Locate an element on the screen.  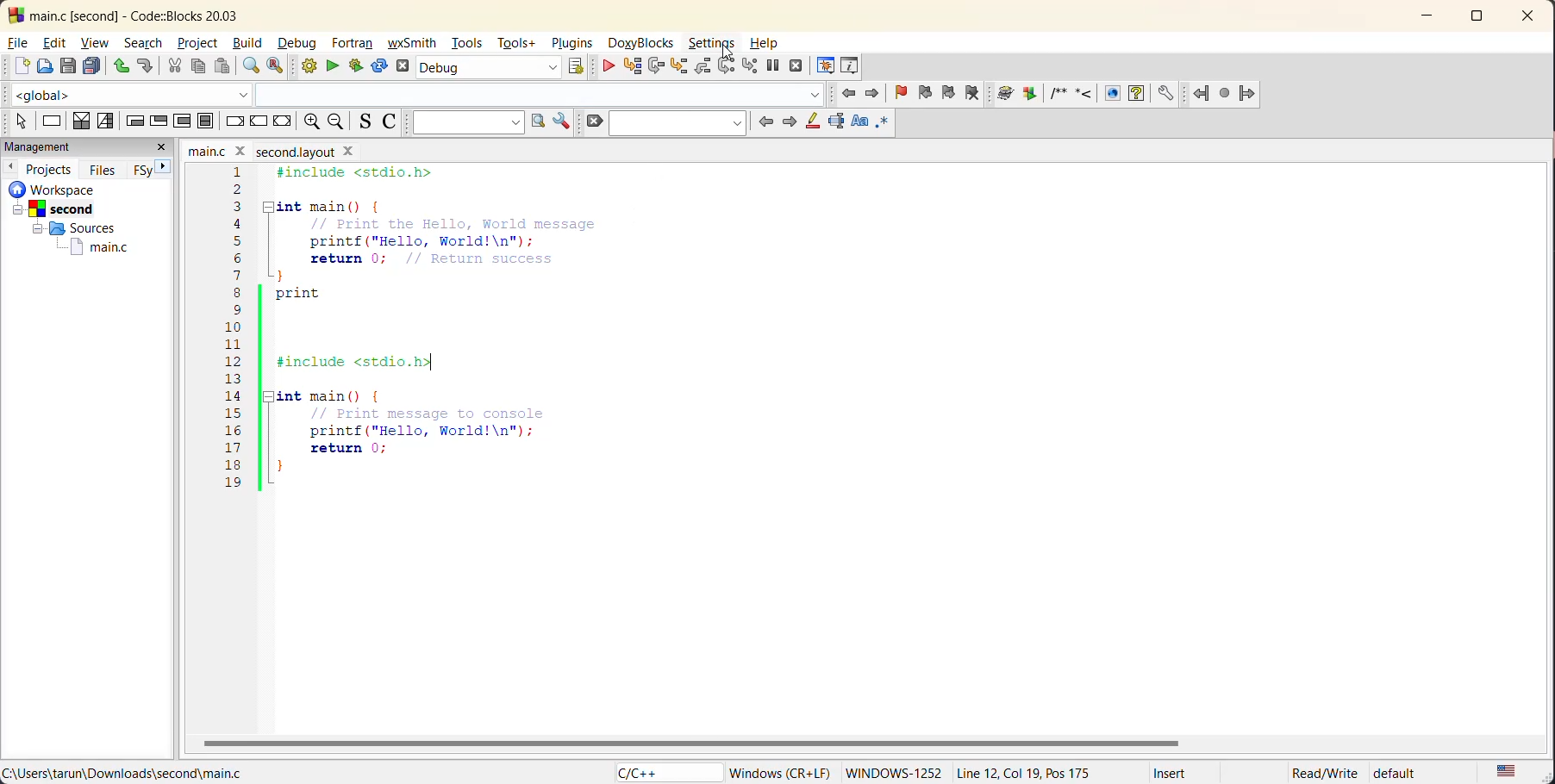
Jump back is located at coordinates (1199, 95).